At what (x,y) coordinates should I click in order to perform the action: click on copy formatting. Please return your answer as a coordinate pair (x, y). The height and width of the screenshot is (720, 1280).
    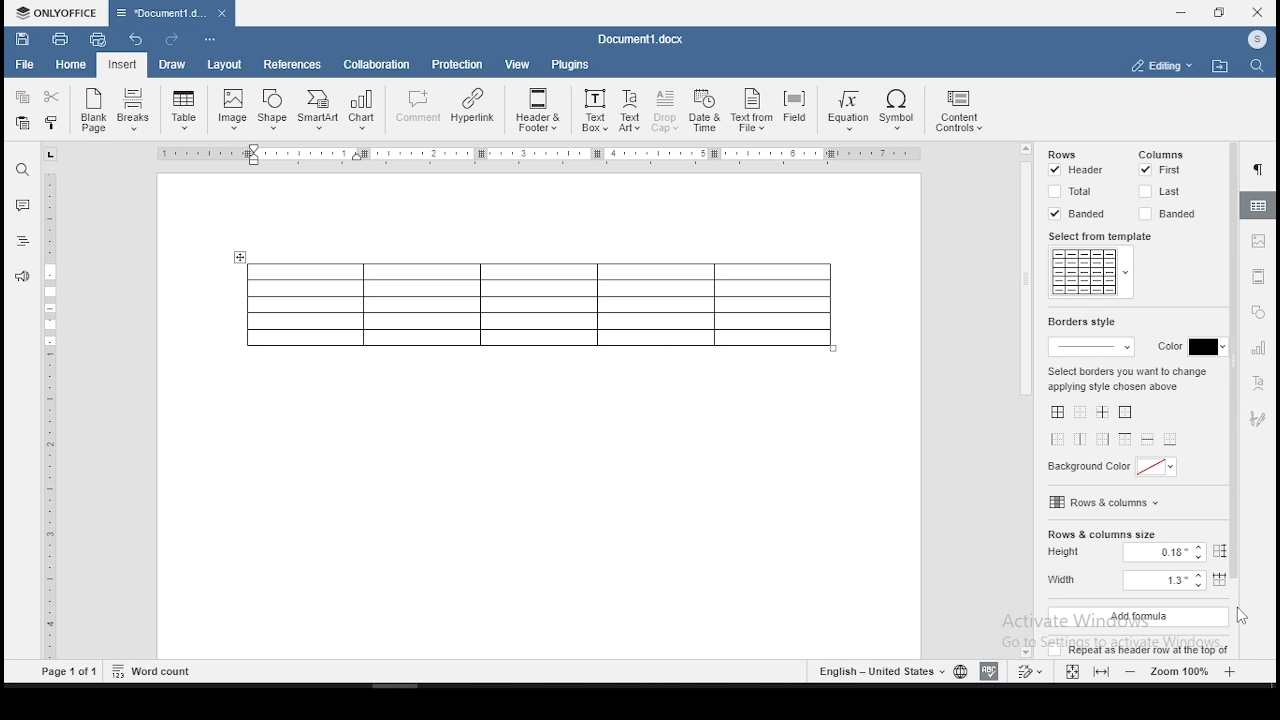
    Looking at the image, I should click on (54, 122).